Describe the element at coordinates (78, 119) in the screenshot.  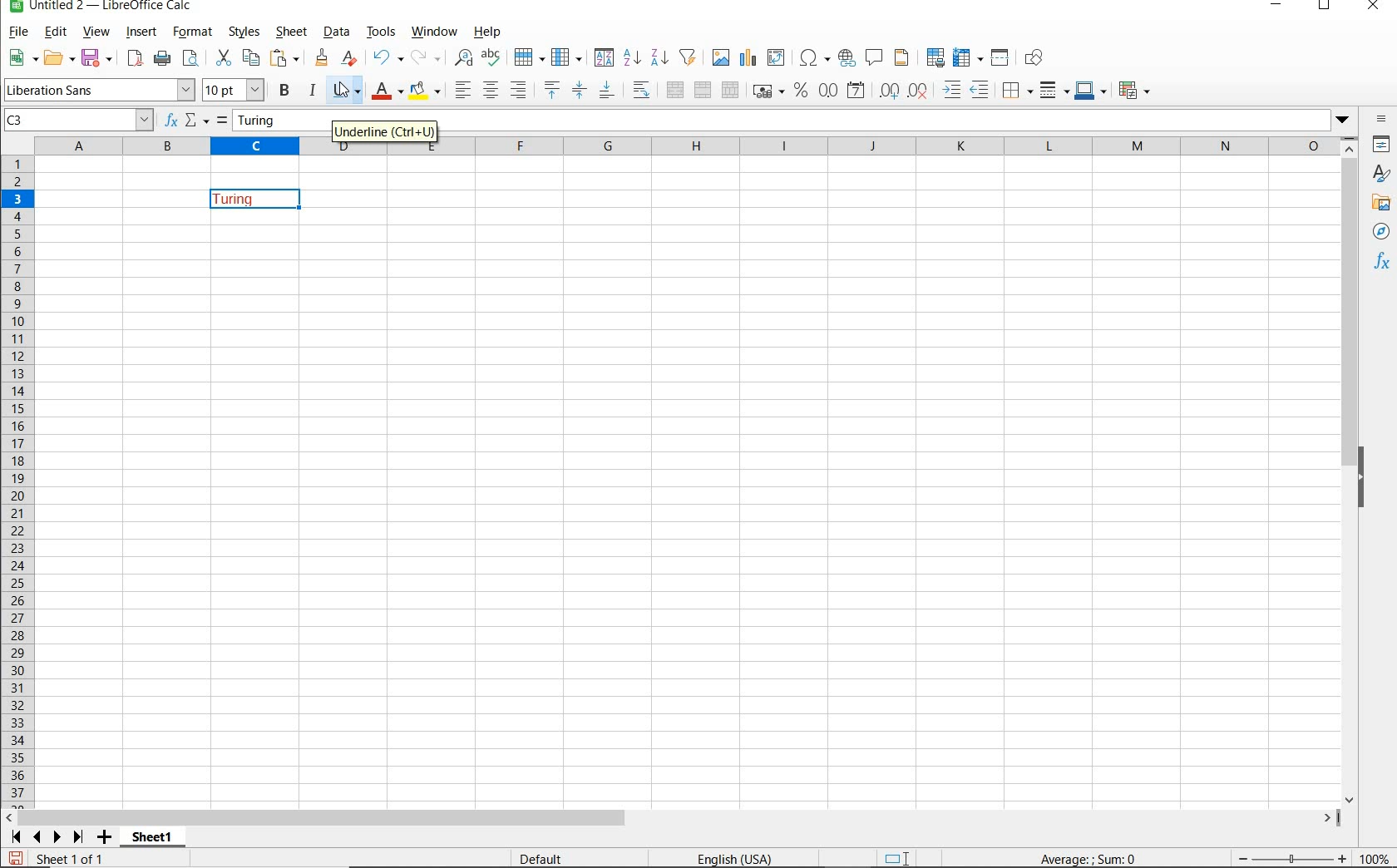
I see `C3` at that location.